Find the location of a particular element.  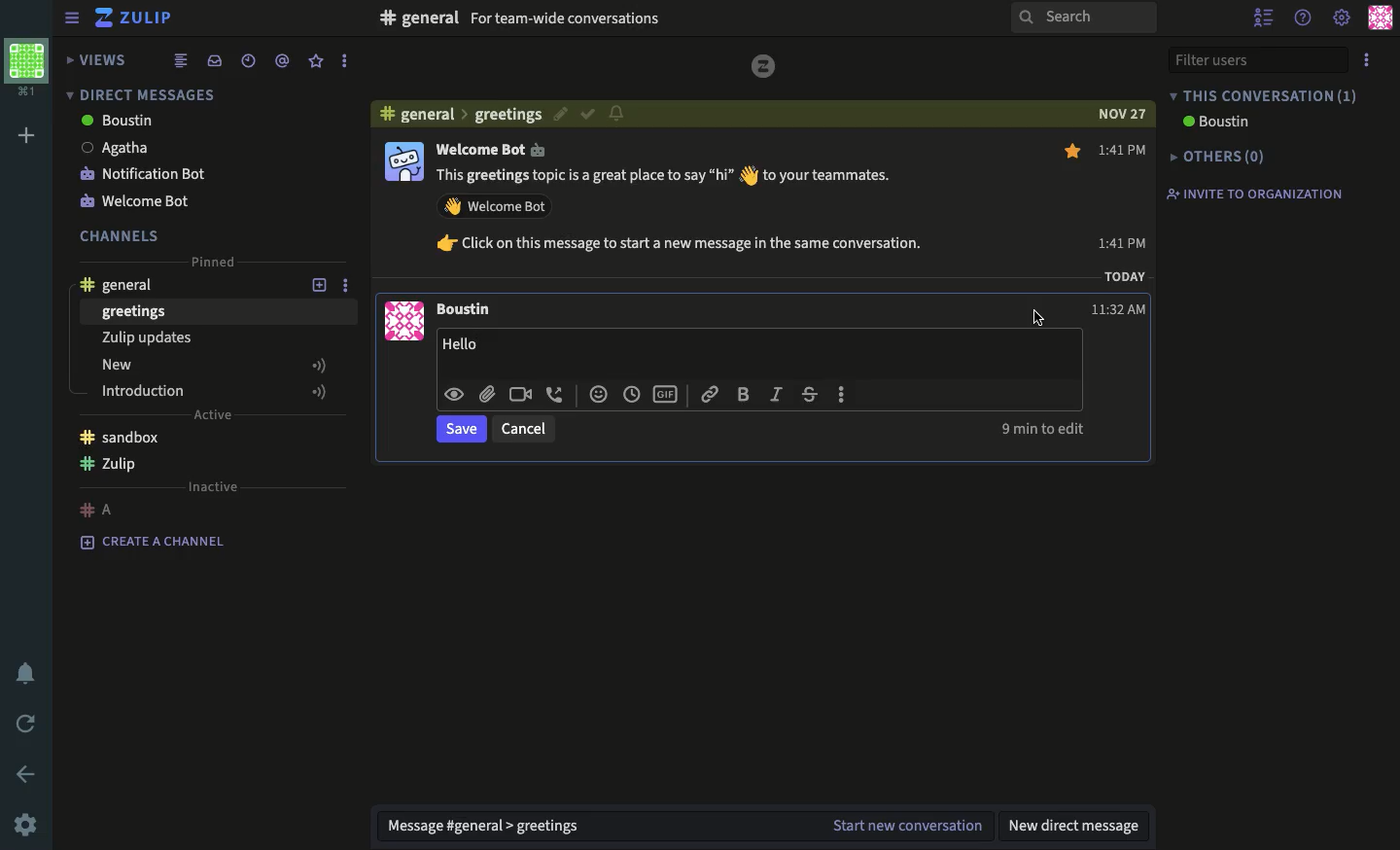

filter users is located at coordinates (1255, 57).